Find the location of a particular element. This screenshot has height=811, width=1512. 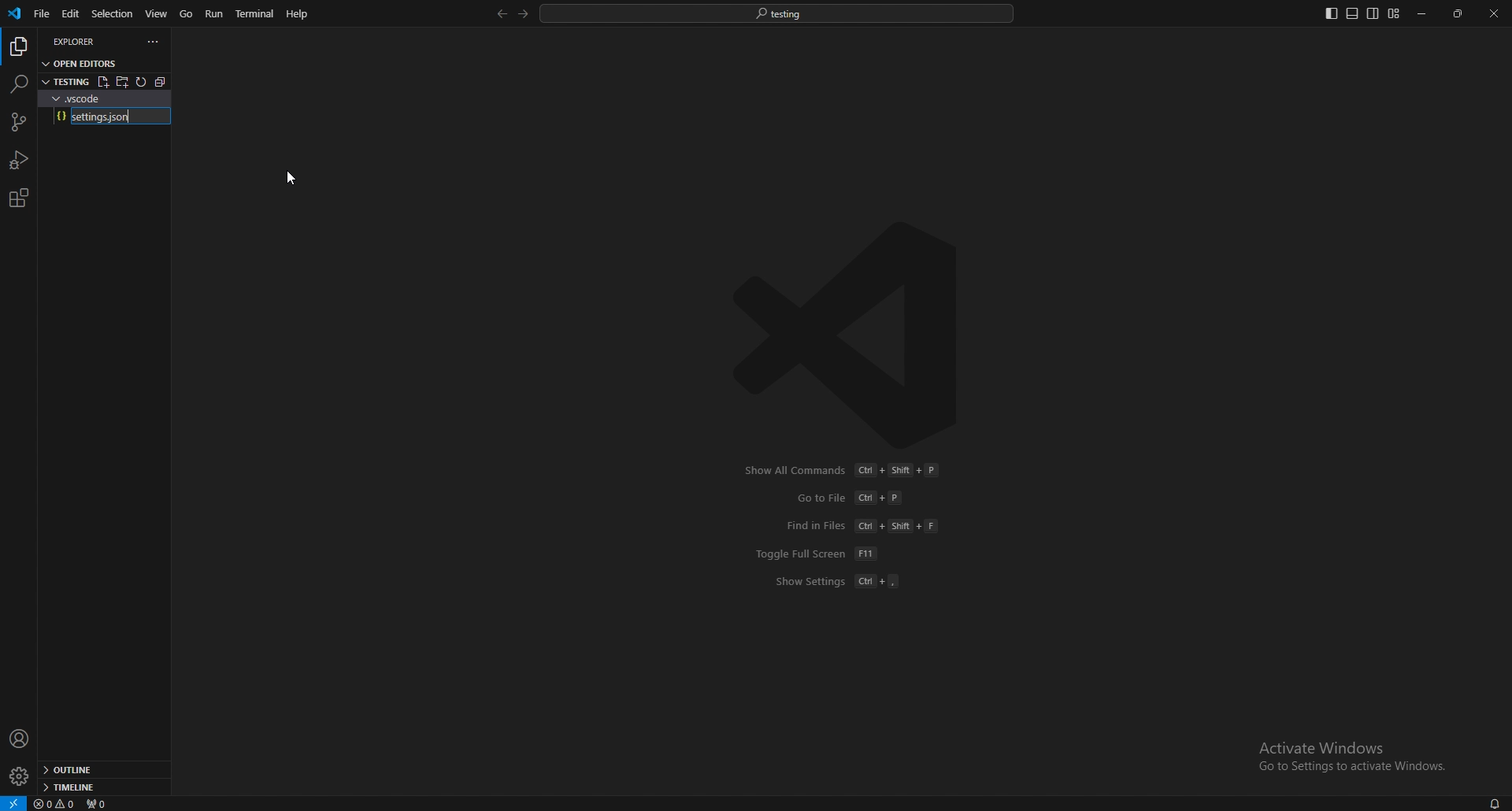

selection is located at coordinates (112, 13).